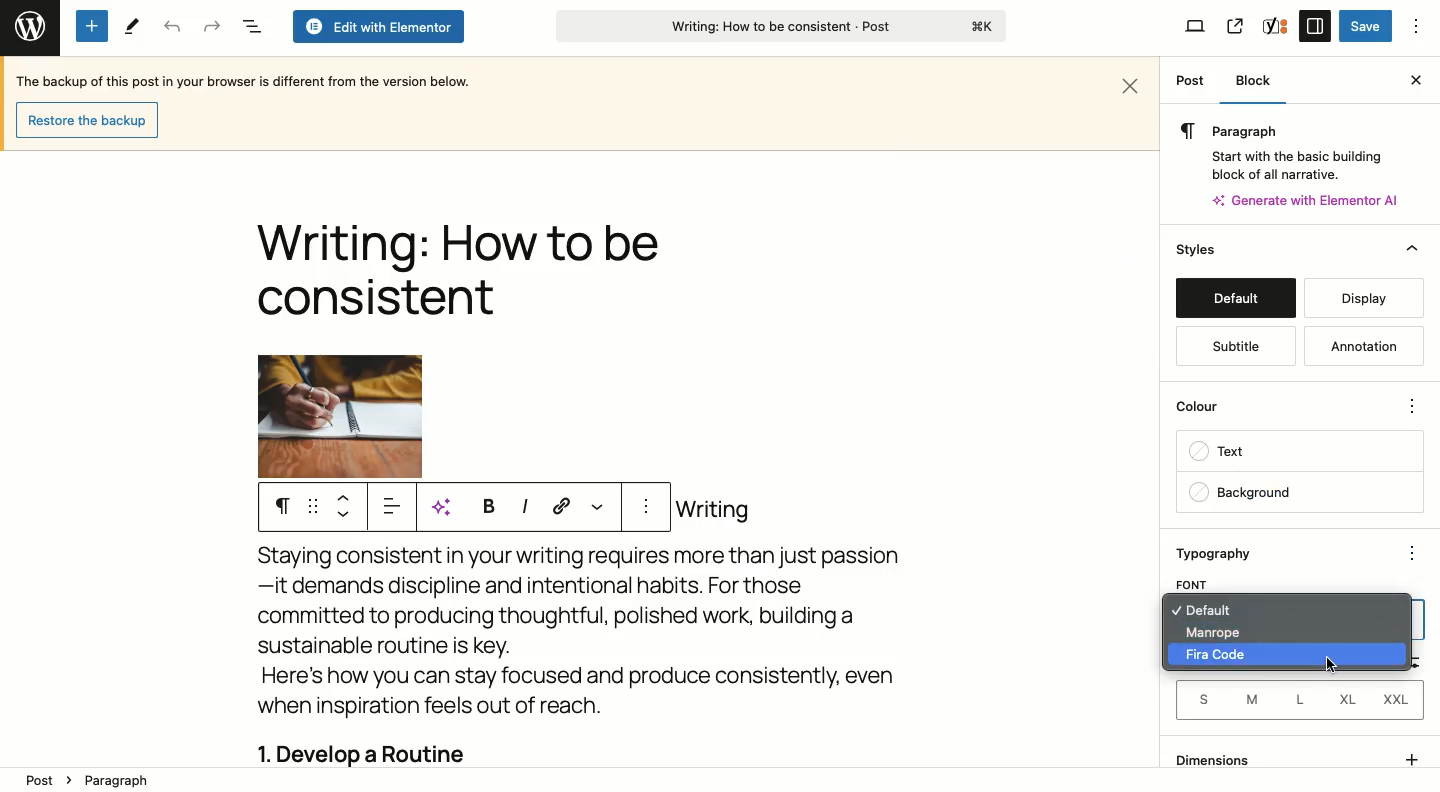 This screenshot has height=792, width=1440. What do you see at coordinates (92, 26) in the screenshot?
I see `Add new block` at bounding box center [92, 26].